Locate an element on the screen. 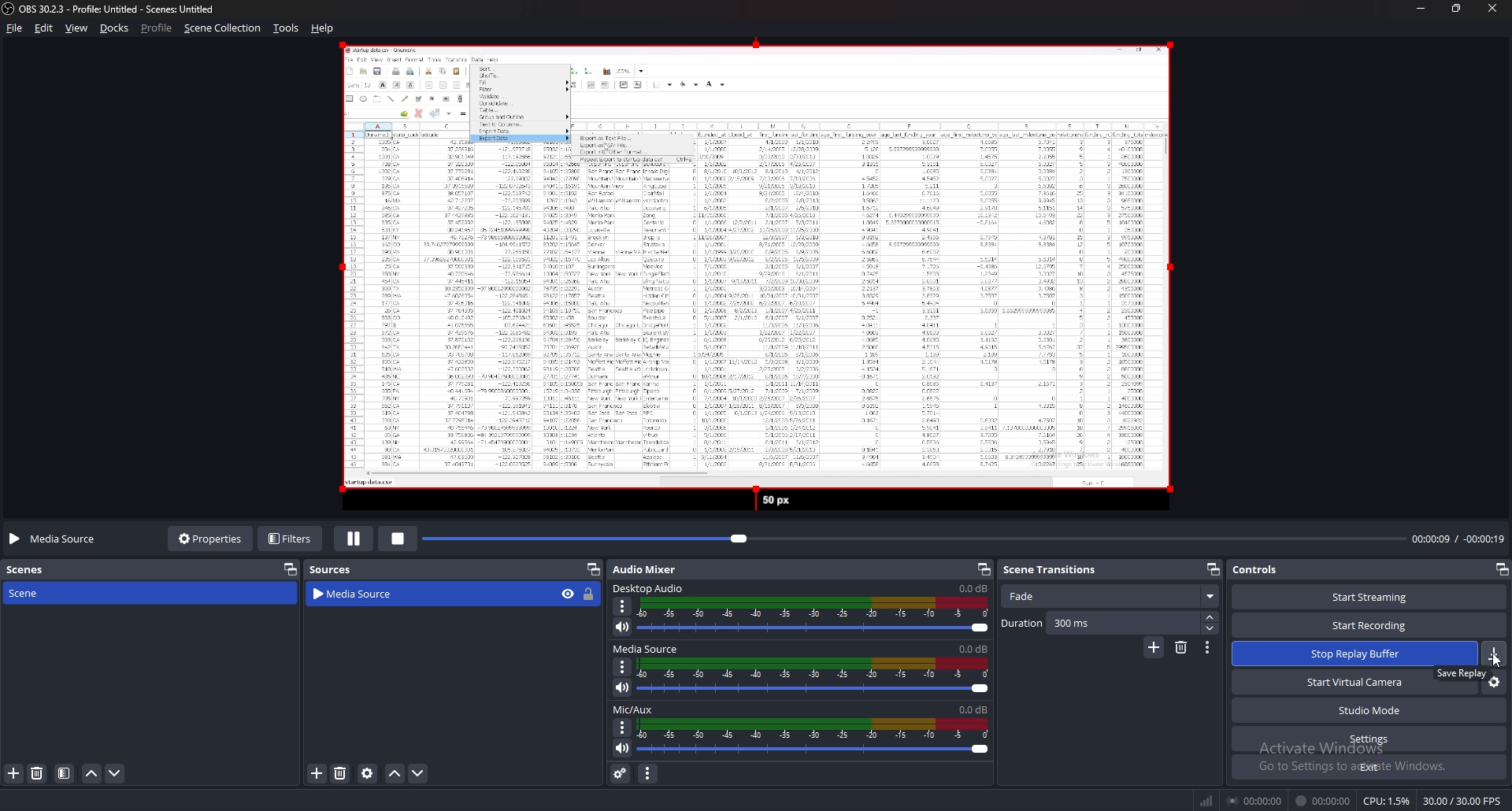 This screenshot has width=1512, height=811. mic/aux audio adjust is located at coordinates (813, 737).